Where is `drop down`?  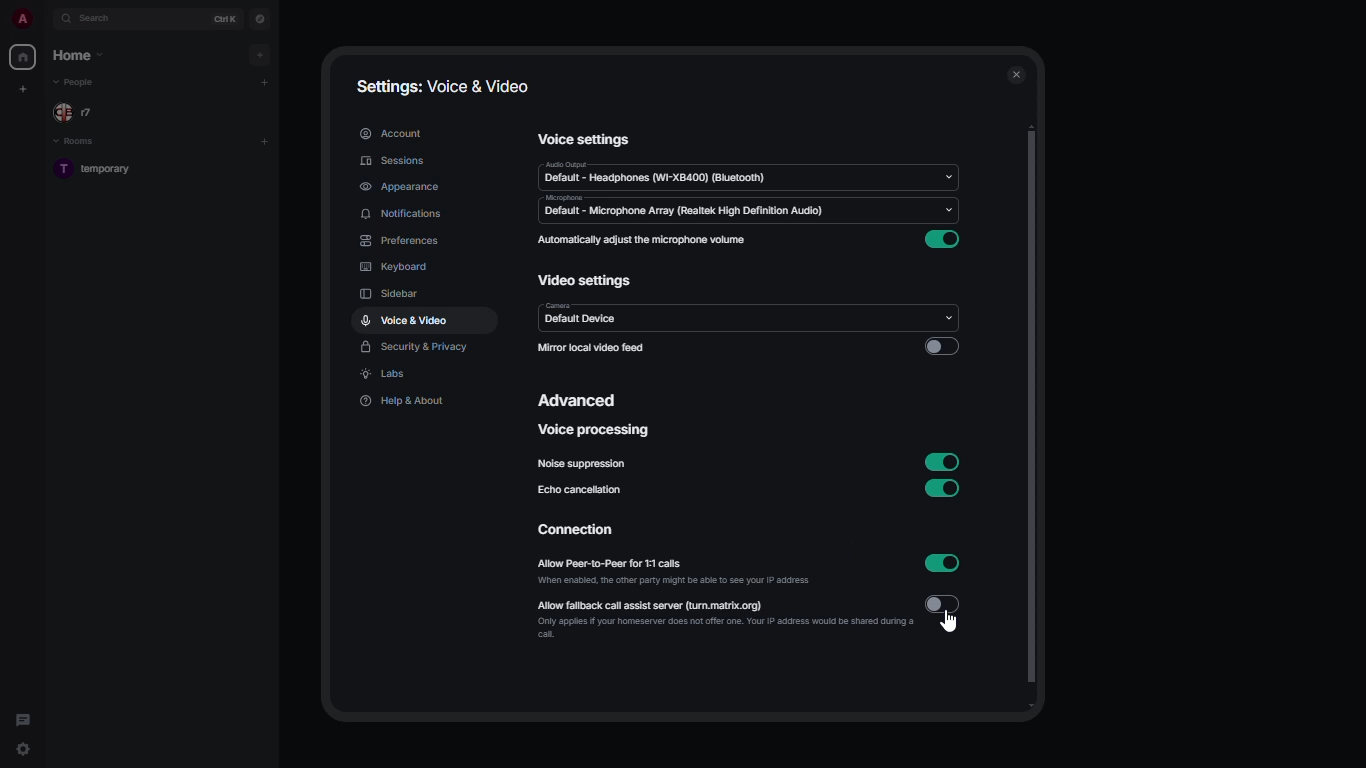
drop down is located at coordinates (948, 178).